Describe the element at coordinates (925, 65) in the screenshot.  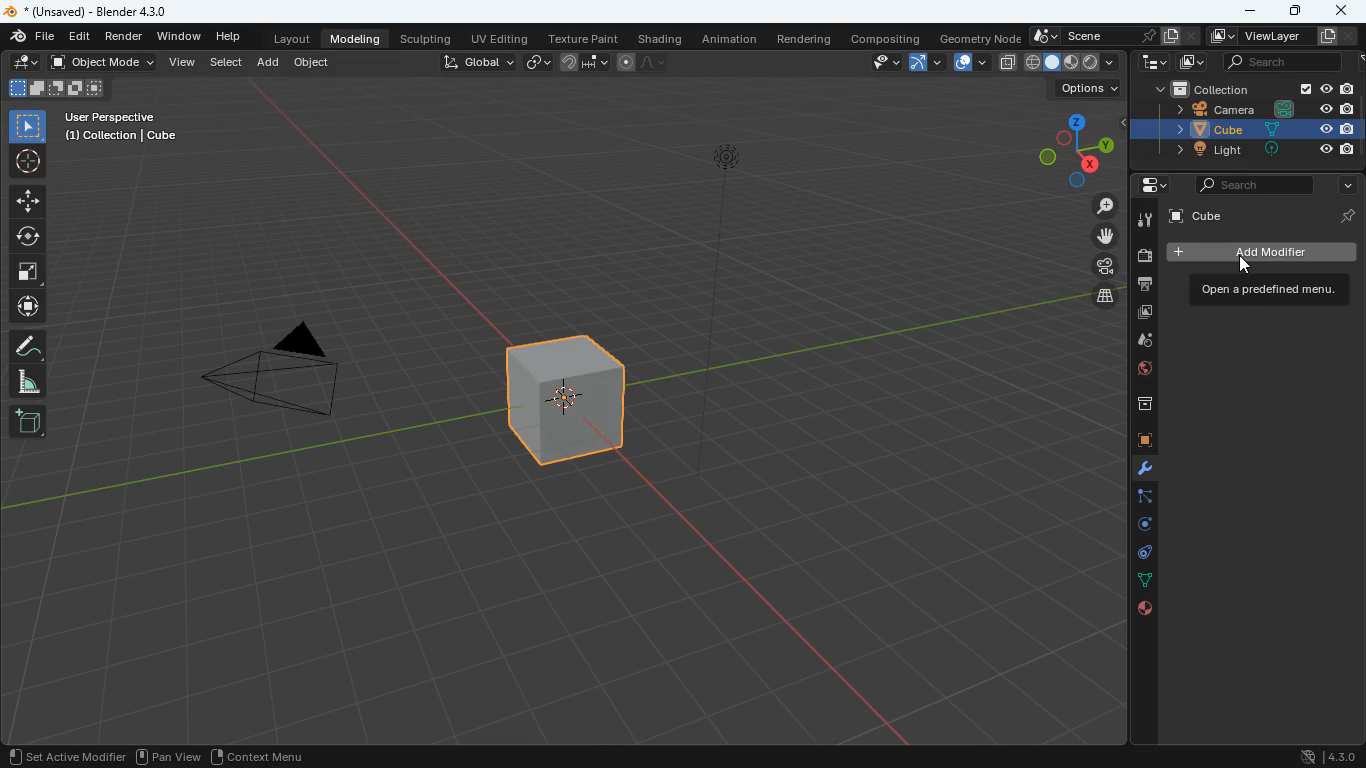
I see `arc` at that location.